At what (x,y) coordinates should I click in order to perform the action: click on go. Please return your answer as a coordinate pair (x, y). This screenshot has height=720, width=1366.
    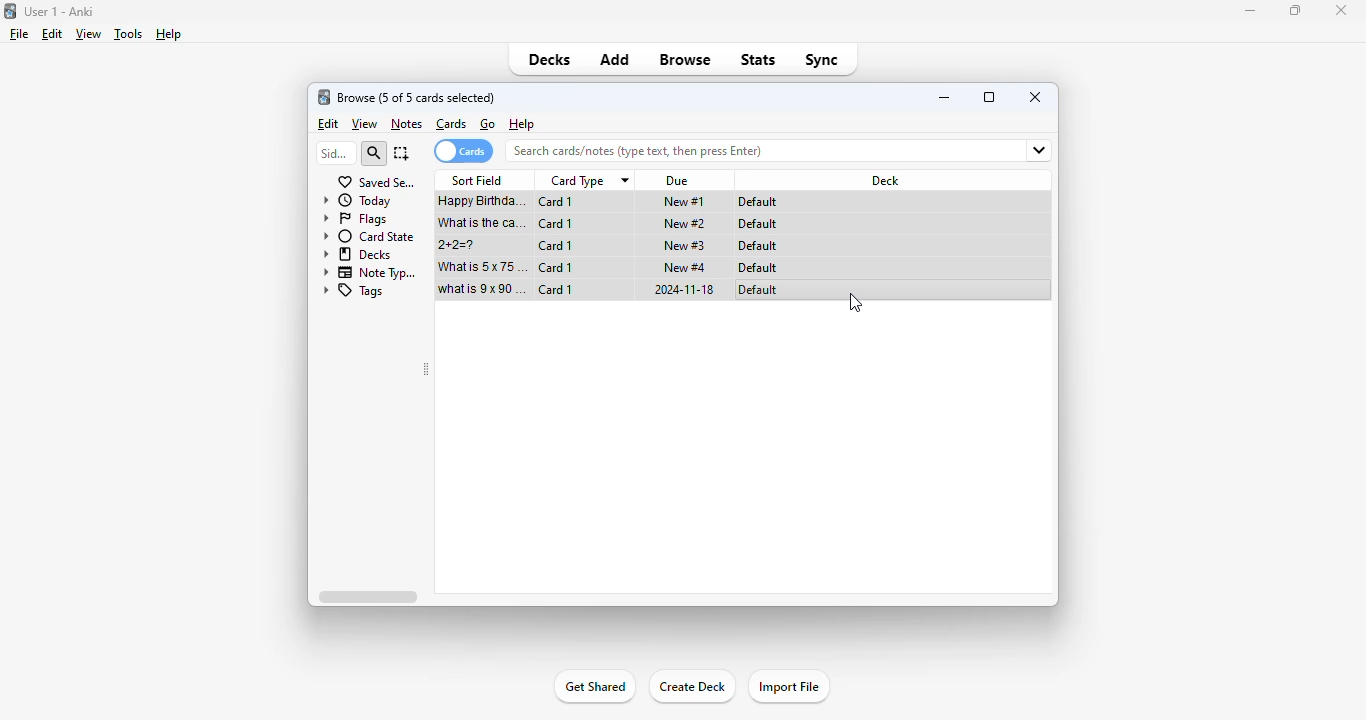
    Looking at the image, I should click on (488, 124).